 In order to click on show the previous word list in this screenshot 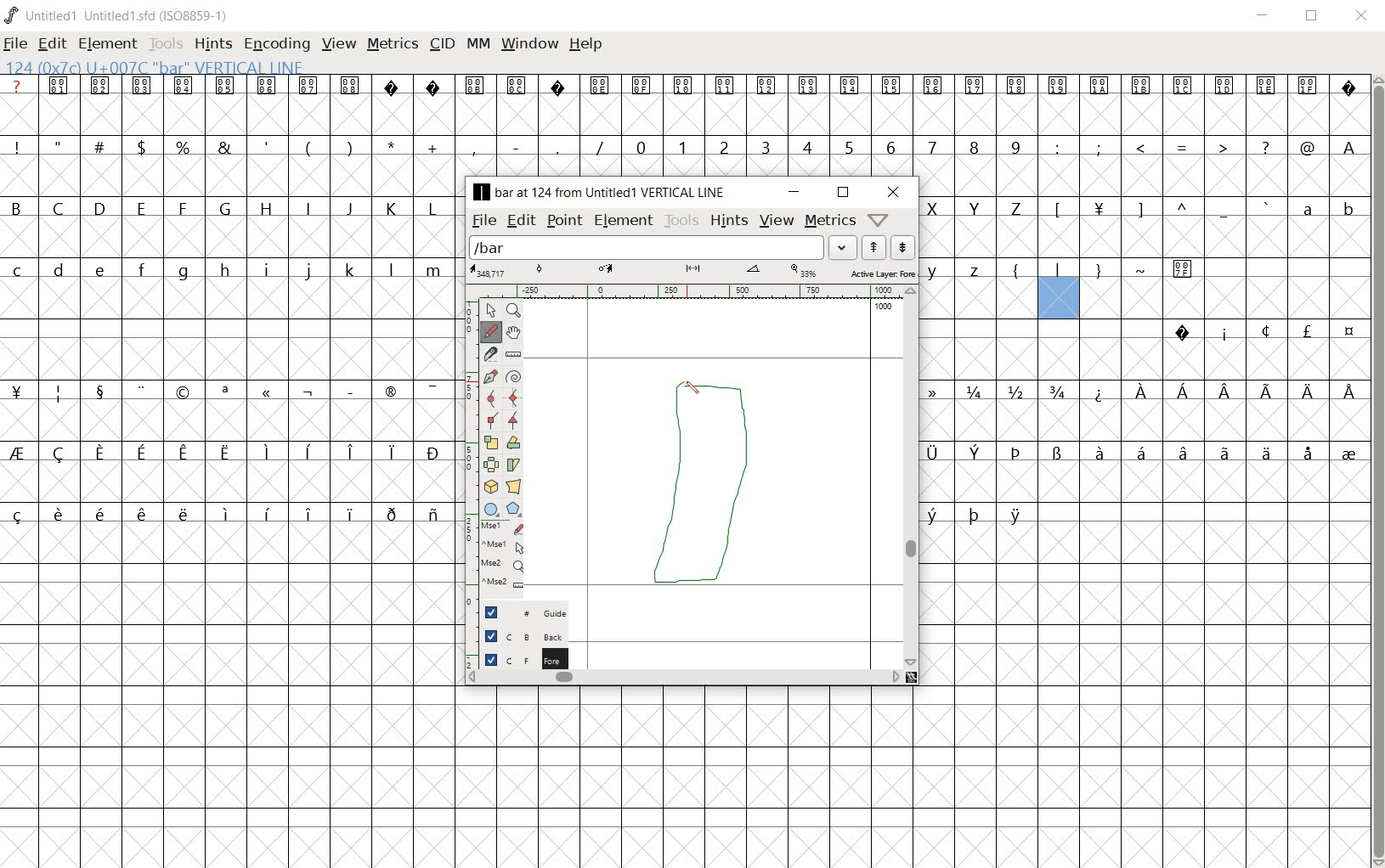, I will do `click(873, 247)`.